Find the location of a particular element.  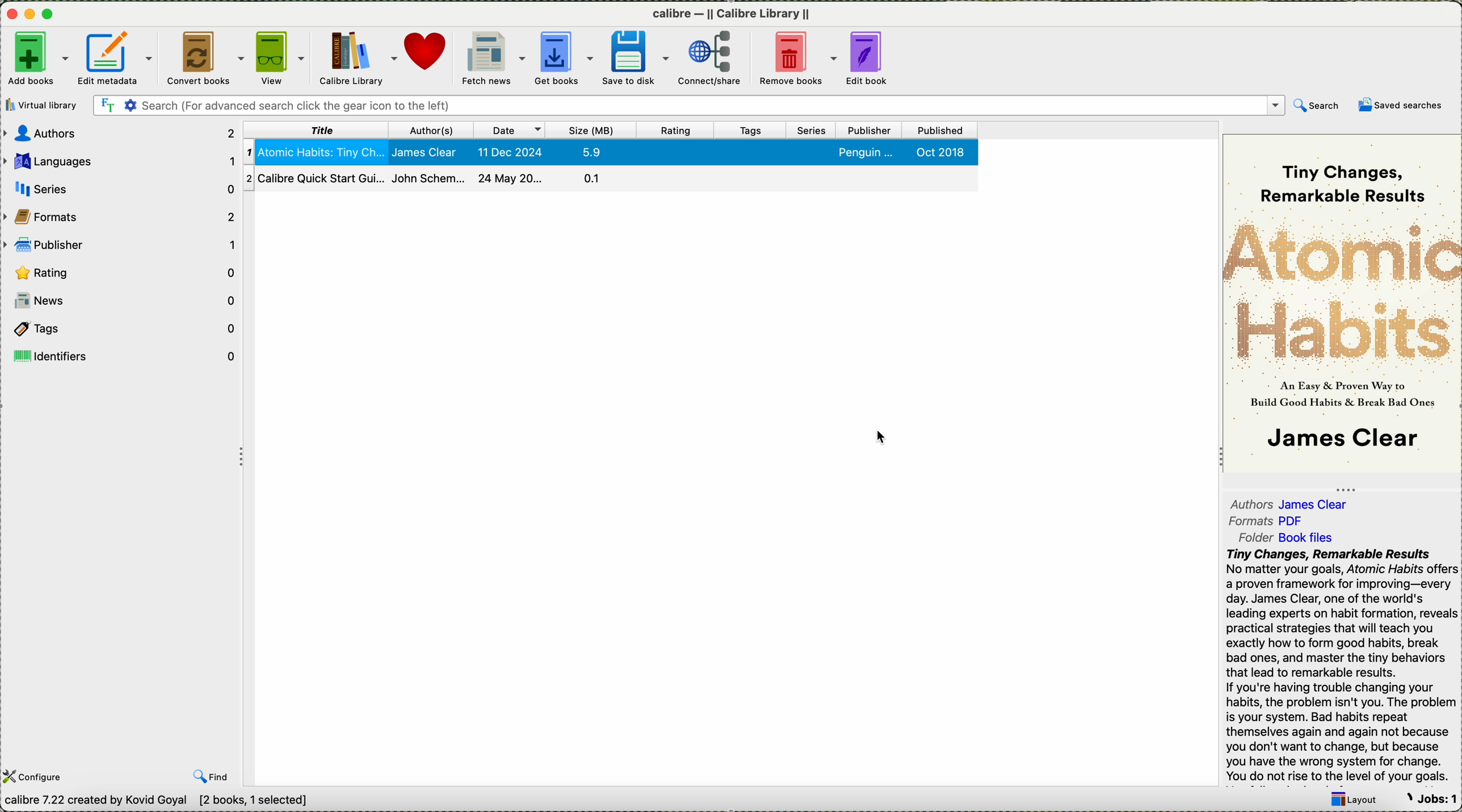

publisher is located at coordinates (869, 129).